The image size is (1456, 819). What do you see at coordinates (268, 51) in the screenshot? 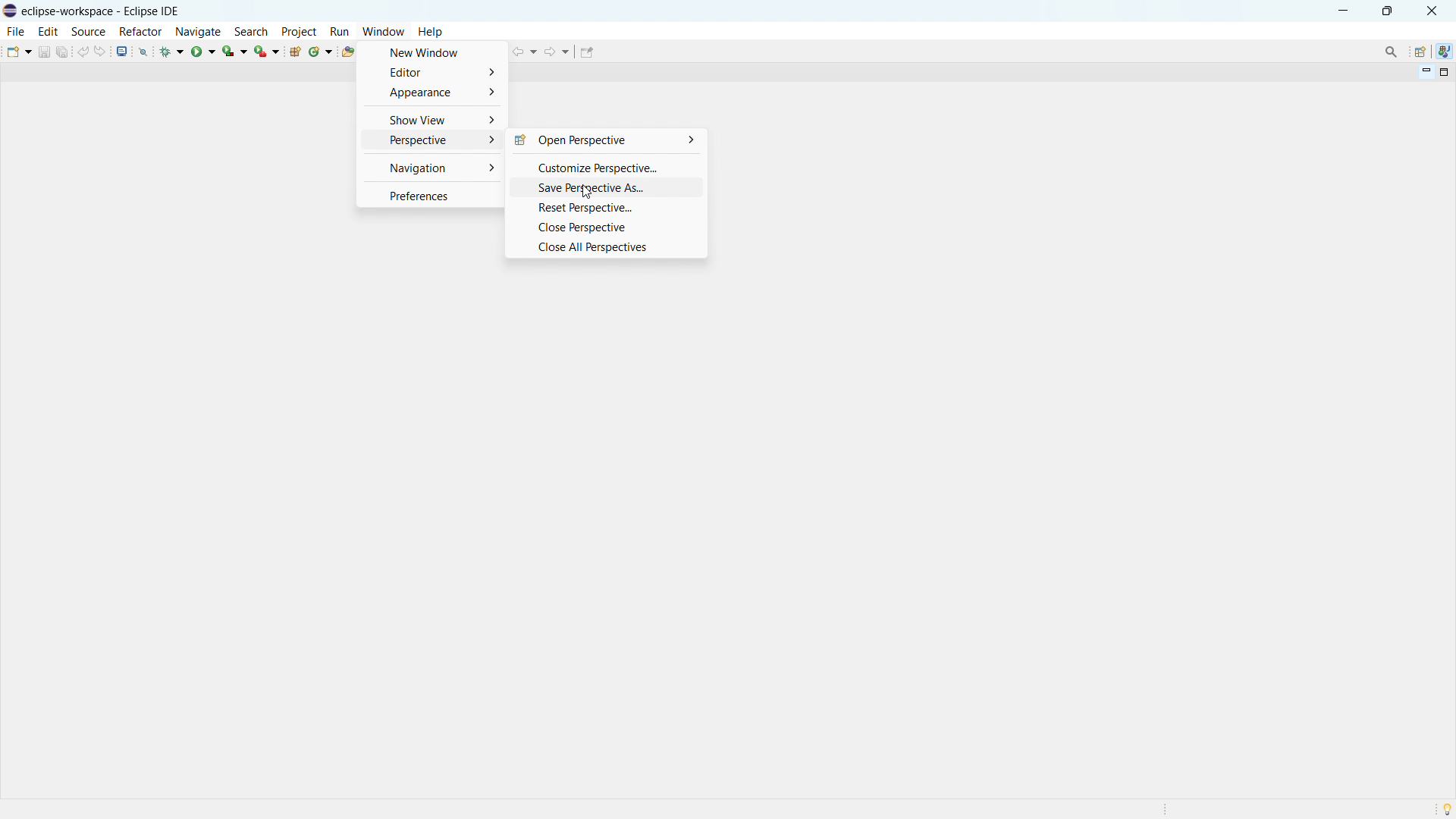
I see `run last tool` at bounding box center [268, 51].